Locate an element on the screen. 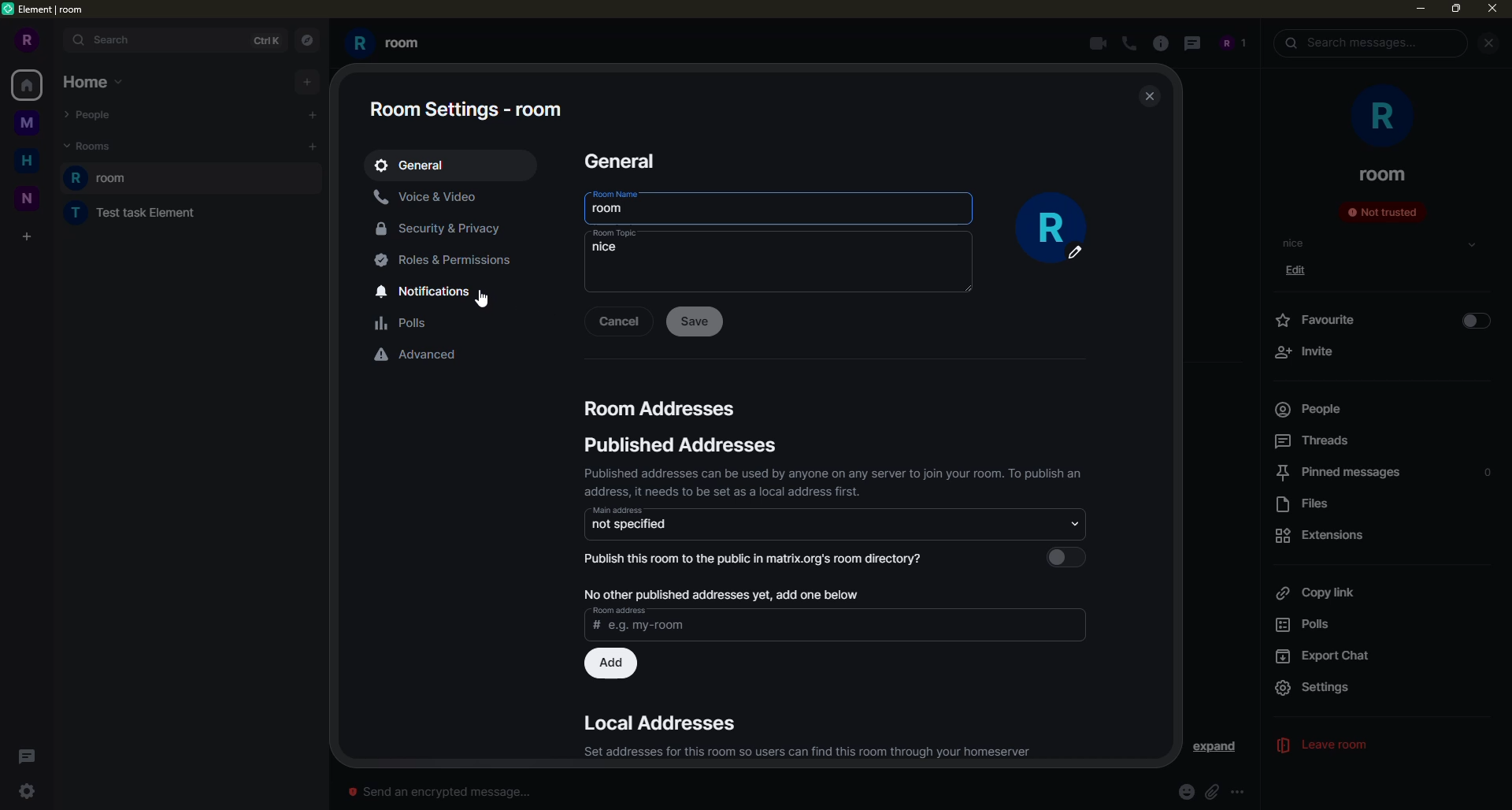 Image resolution: width=1512 pixels, height=810 pixels. not trusted is located at coordinates (1381, 211).